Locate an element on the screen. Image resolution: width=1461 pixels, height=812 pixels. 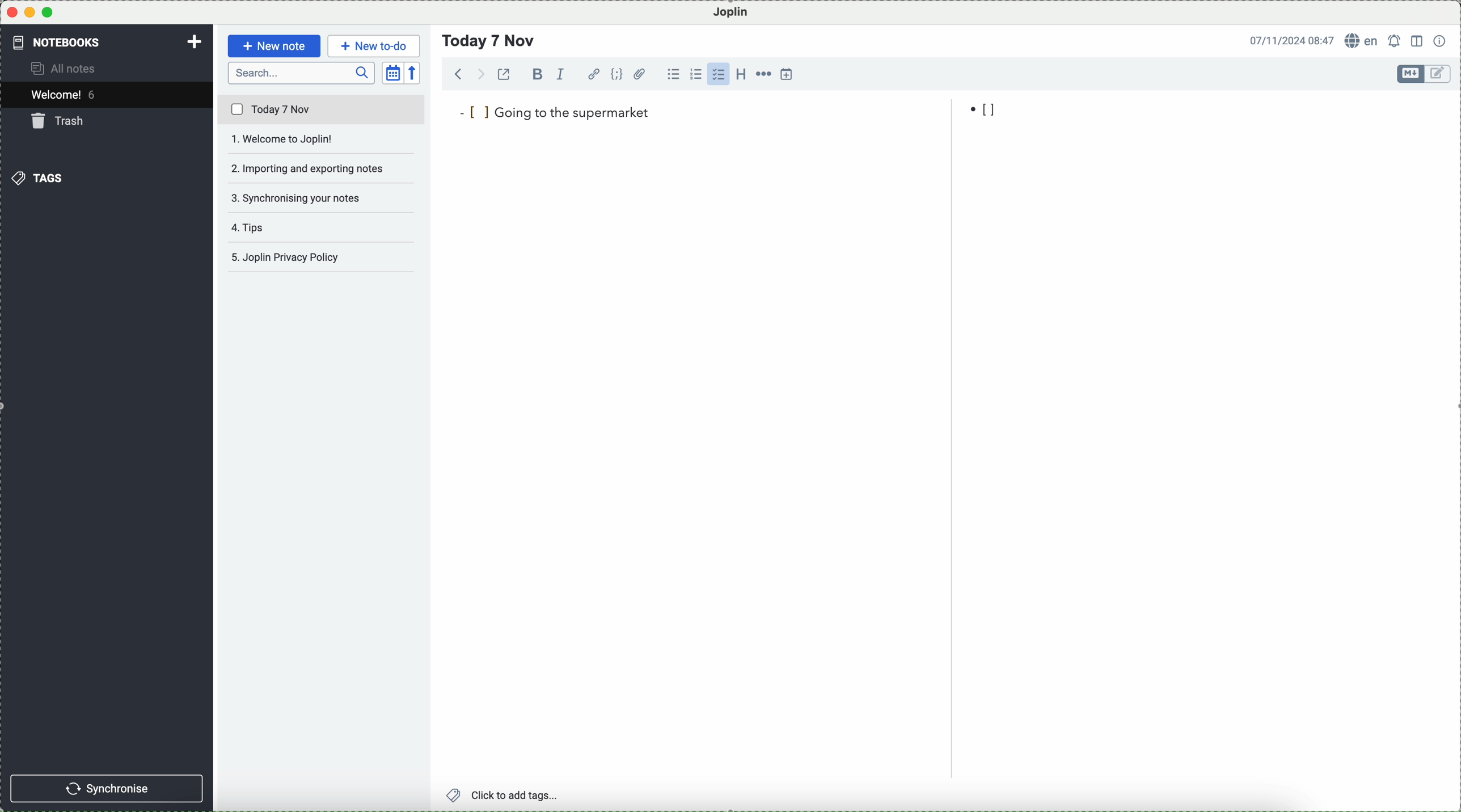
italic is located at coordinates (561, 74).